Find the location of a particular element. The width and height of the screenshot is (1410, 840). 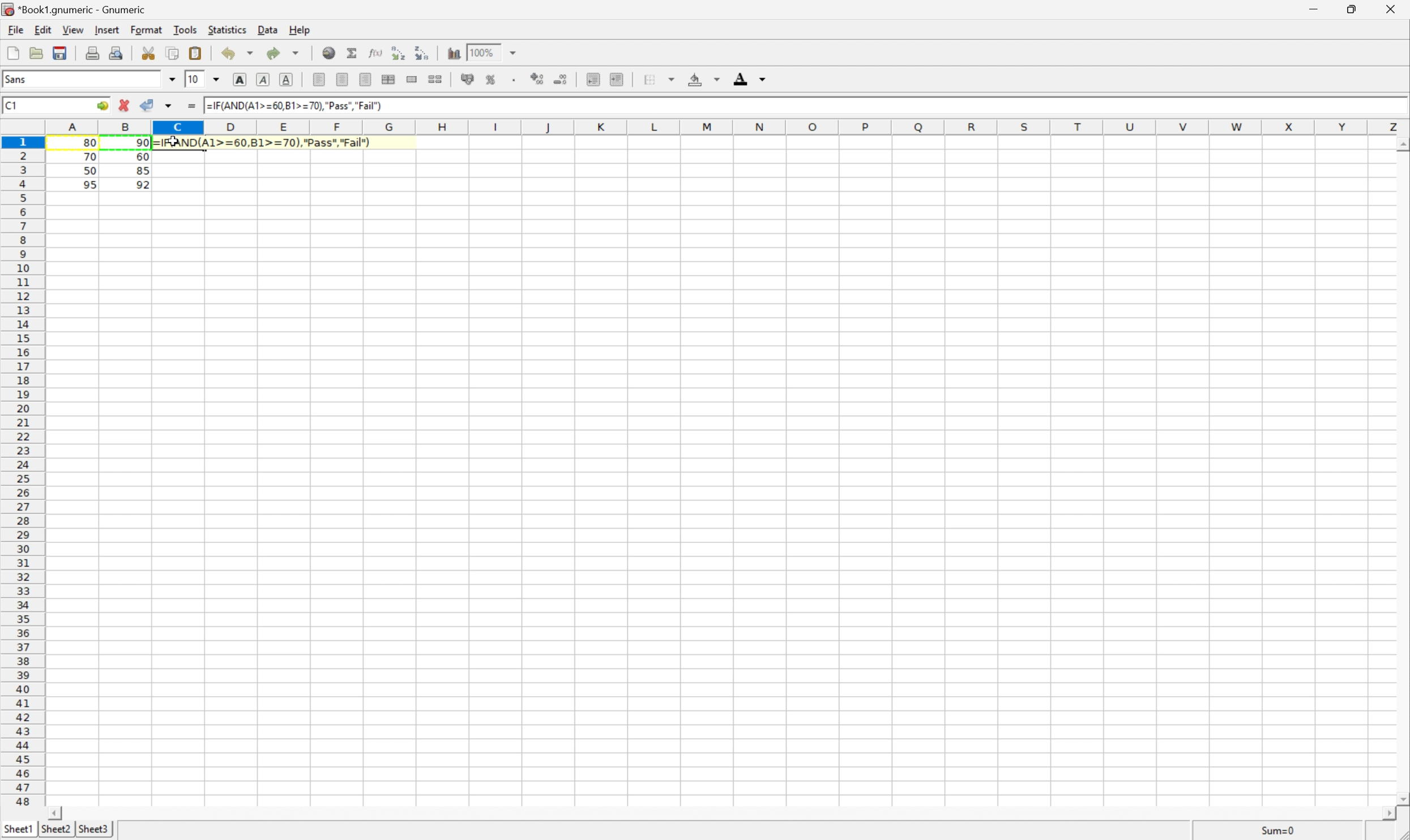

Data is located at coordinates (268, 31).